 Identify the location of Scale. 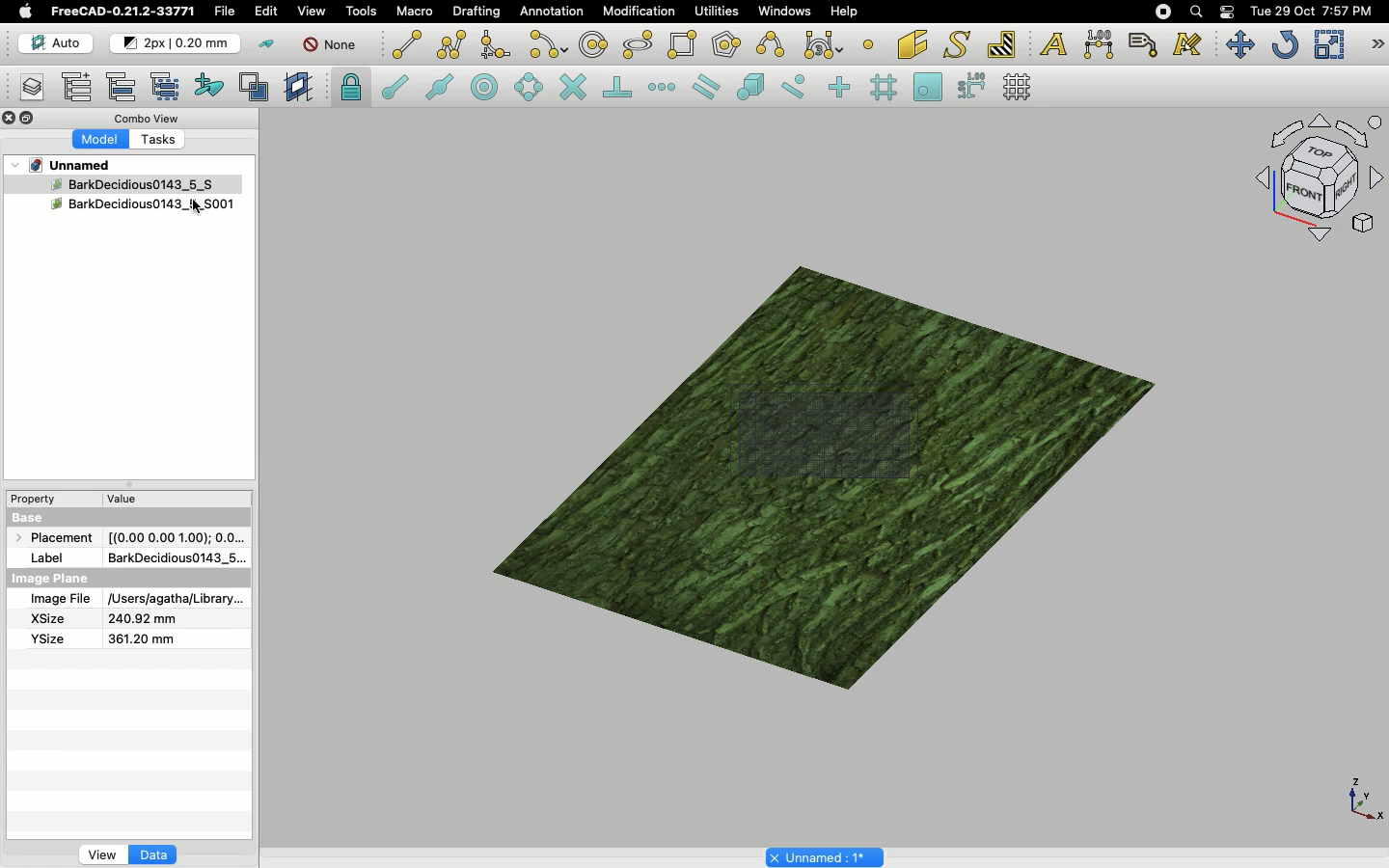
(1328, 44).